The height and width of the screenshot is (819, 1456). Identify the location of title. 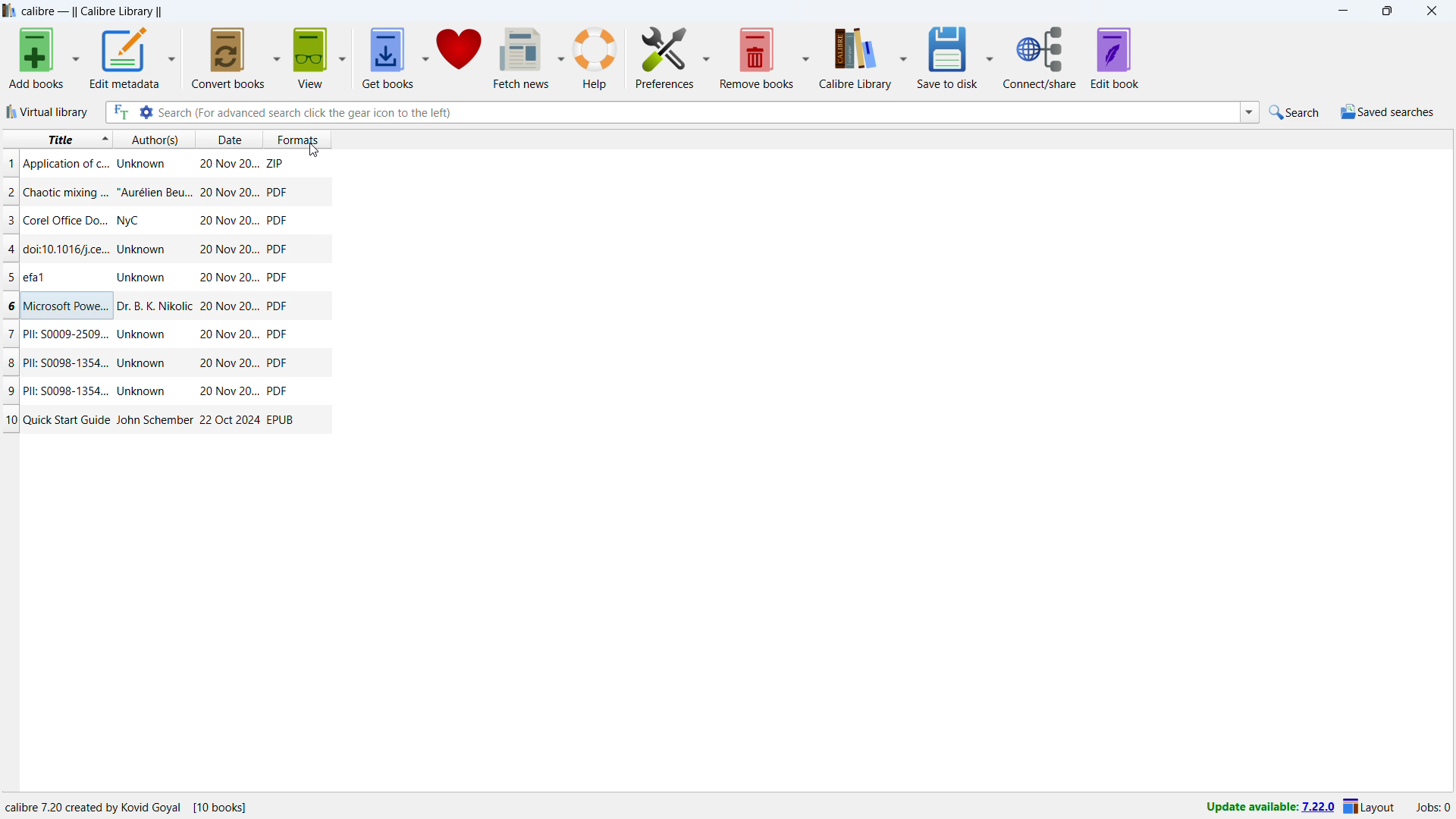
(67, 193).